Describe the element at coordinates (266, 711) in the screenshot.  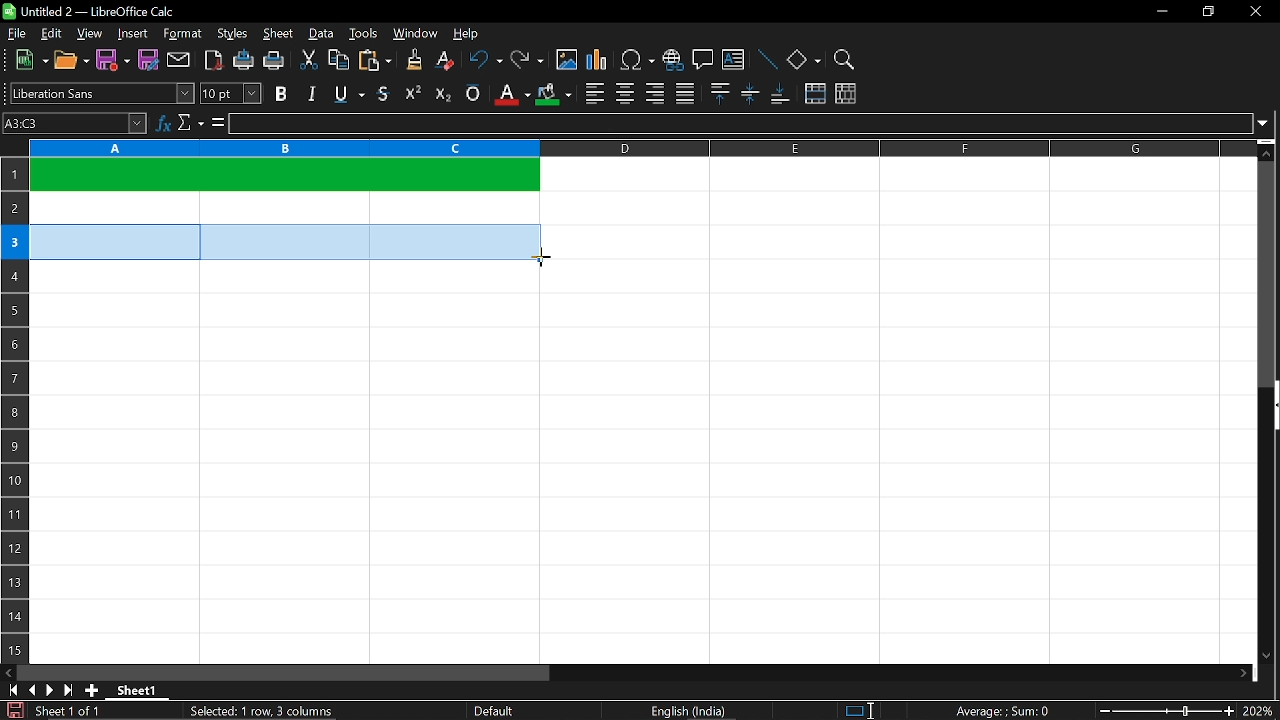
I see `Selected: 1 row, 3 columns` at that location.